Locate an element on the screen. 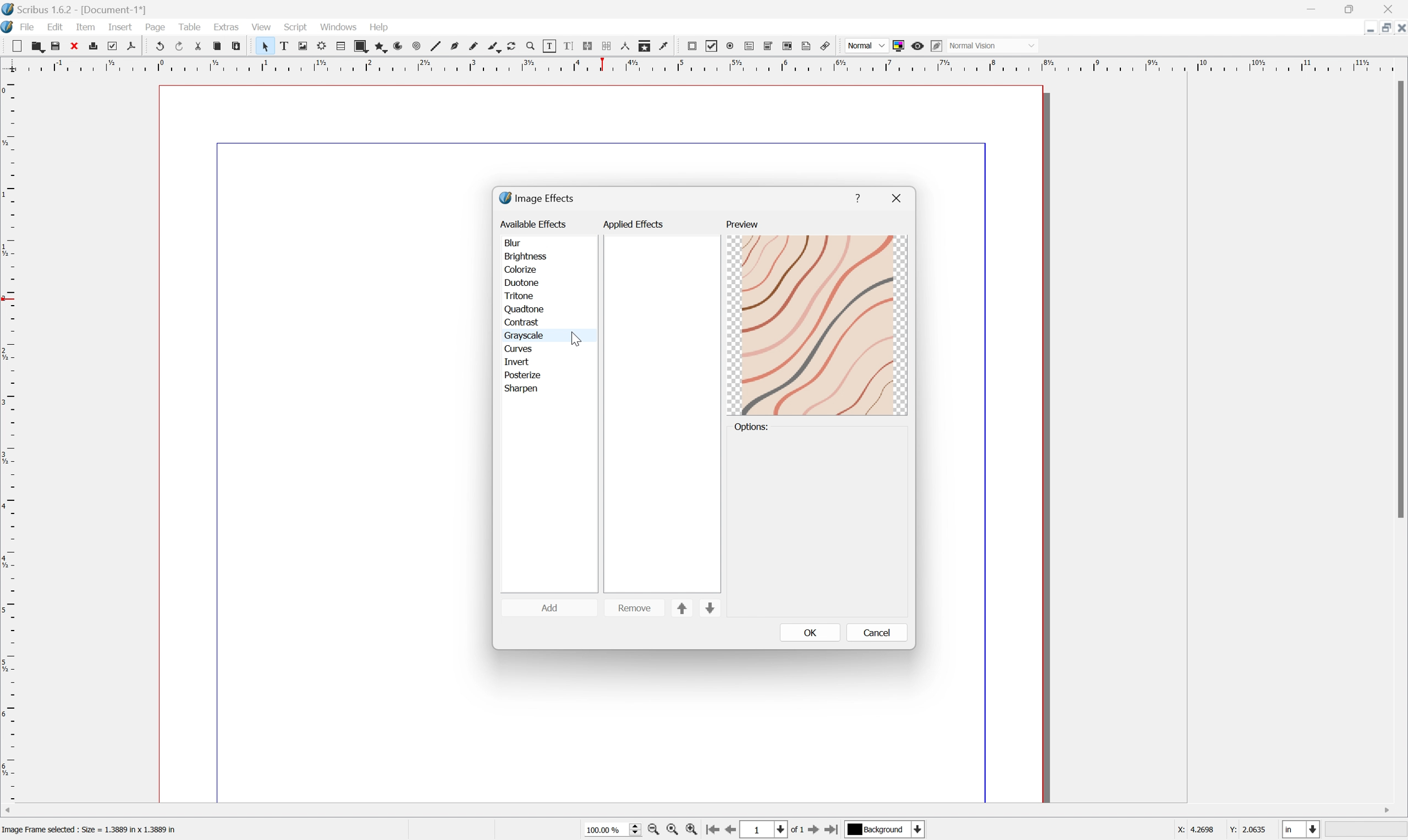 Image resolution: width=1408 pixels, height=840 pixels. Copy is located at coordinates (220, 45).